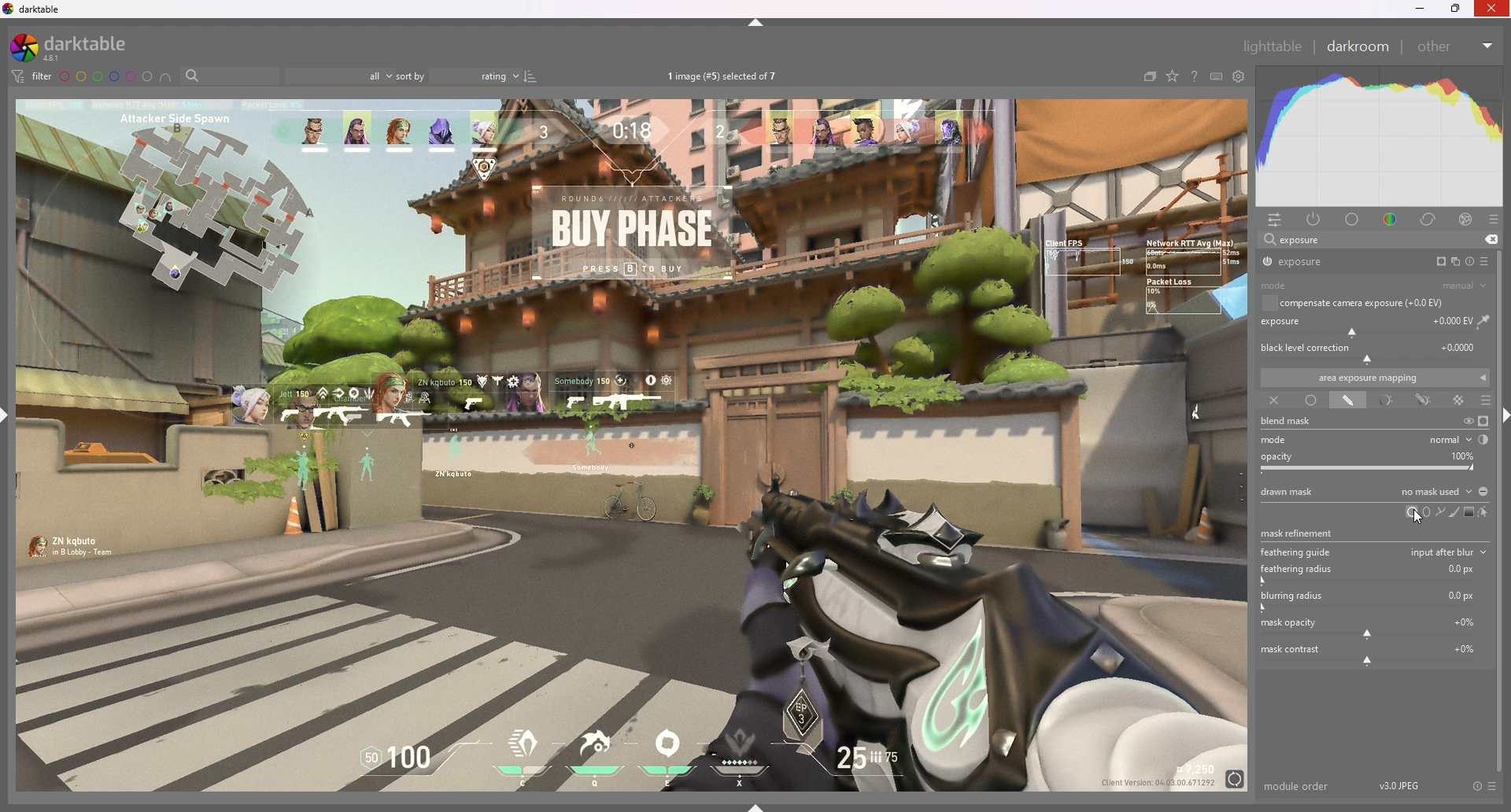 The height and width of the screenshot is (812, 1511). What do you see at coordinates (1238, 76) in the screenshot?
I see `show global preference` at bounding box center [1238, 76].